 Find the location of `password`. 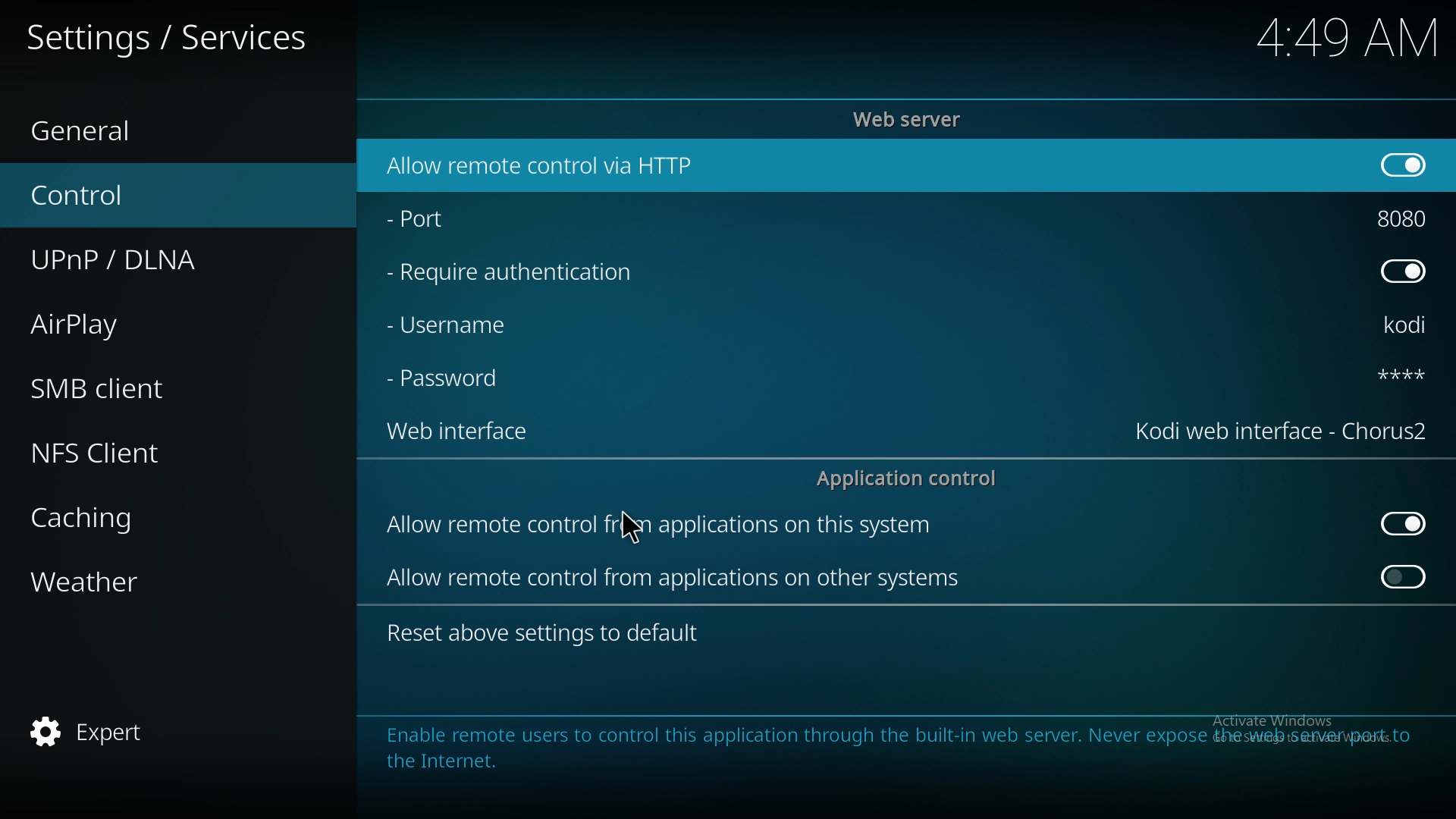

password is located at coordinates (453, 380).